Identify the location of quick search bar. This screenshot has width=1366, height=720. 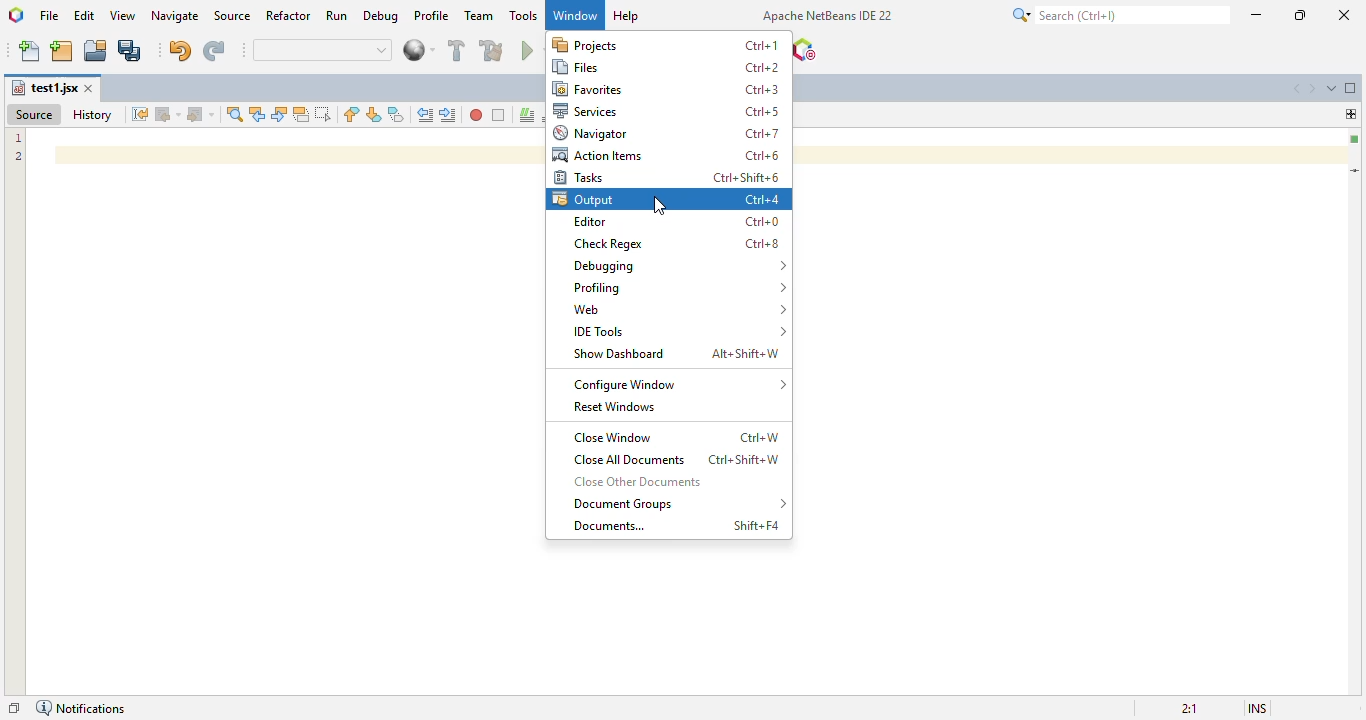
(323, 50).